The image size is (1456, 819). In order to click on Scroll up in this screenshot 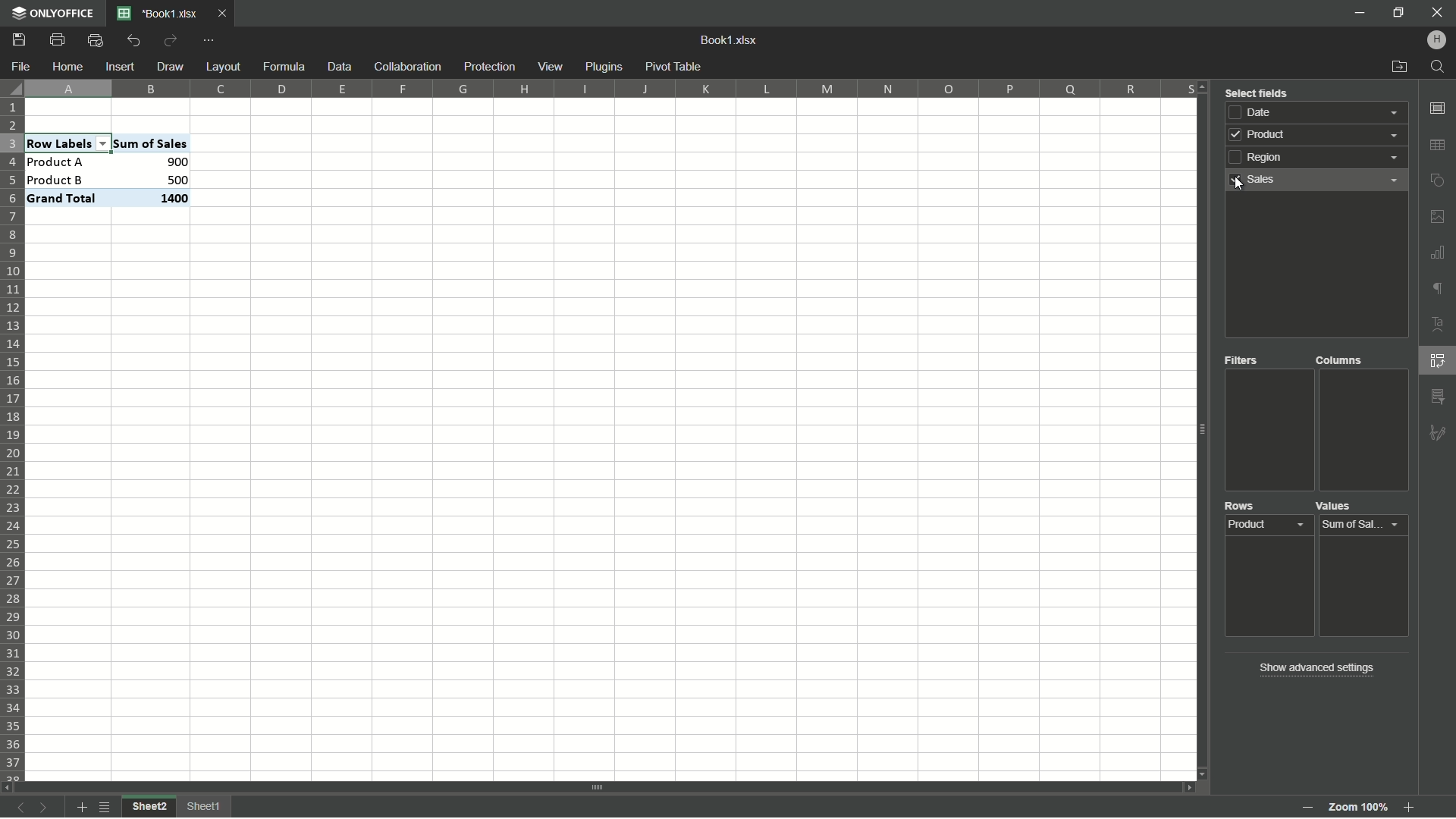, I will do `click(1203, 88)`.